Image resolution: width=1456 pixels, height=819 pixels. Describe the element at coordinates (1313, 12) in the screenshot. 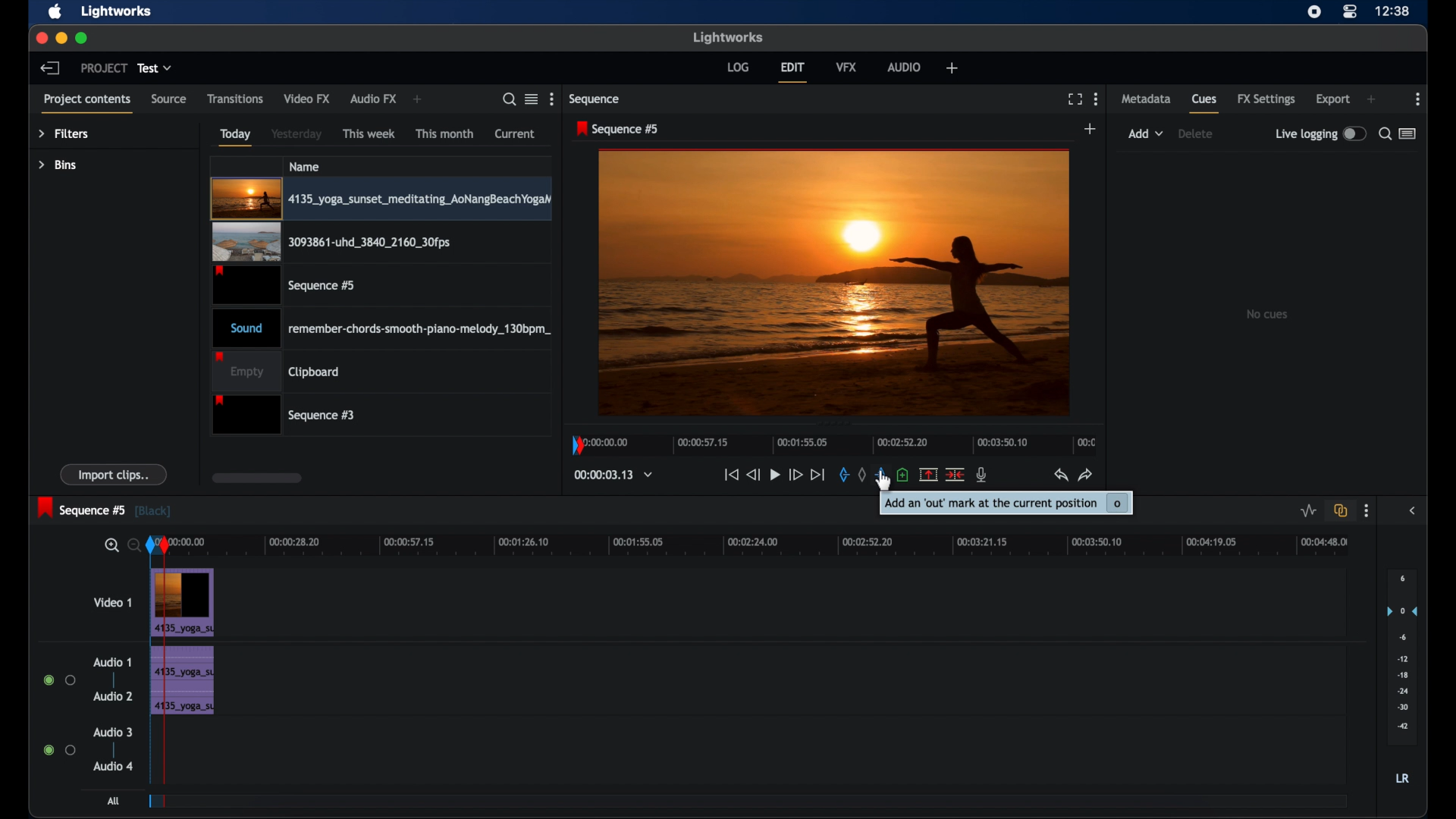

I see `screen recorder icon` at that location.